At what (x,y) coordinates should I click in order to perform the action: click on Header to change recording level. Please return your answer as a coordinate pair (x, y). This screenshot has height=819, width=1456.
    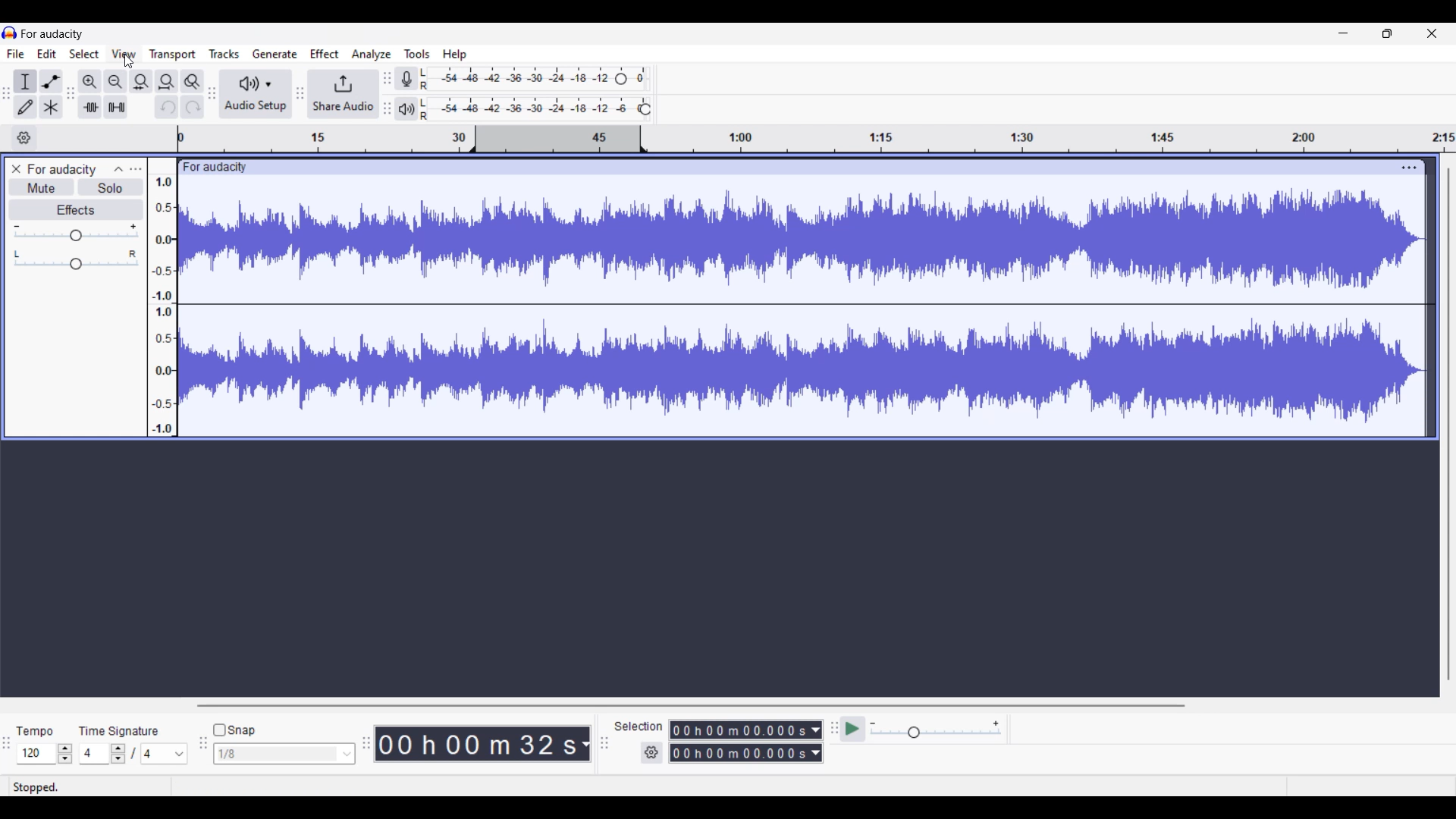
    Looking at the image, I should click on (621, 79).